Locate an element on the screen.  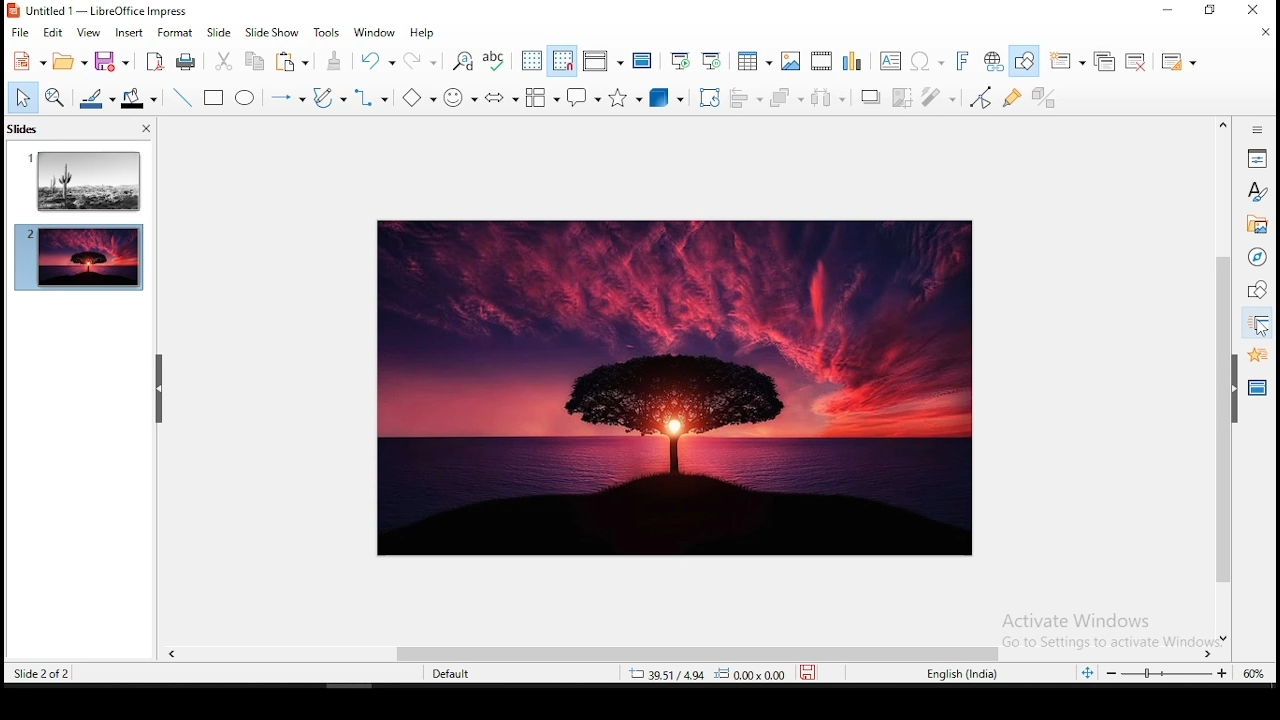
cursor is located at coordinates (1264, 330).